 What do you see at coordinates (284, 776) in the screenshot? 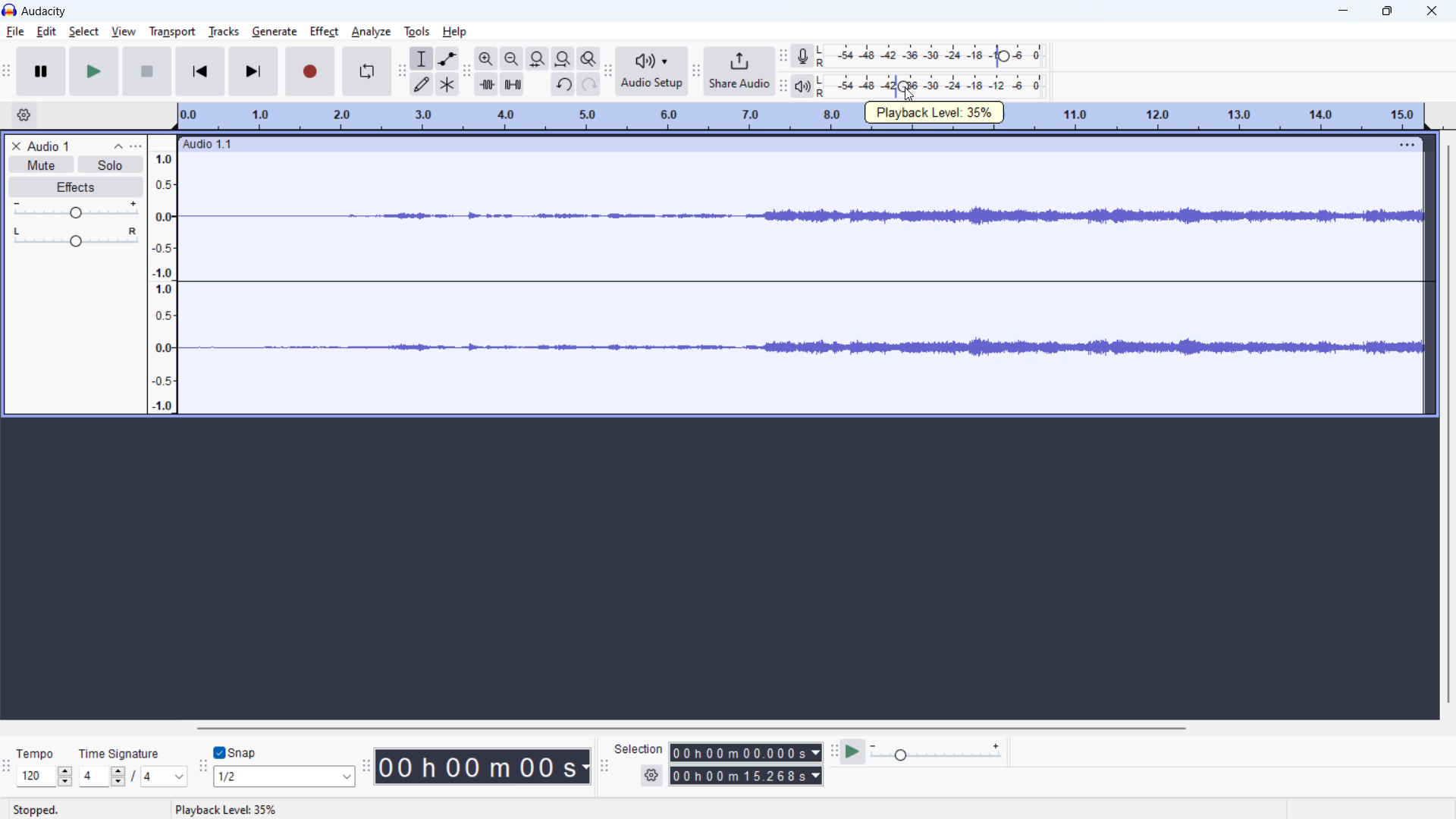
I see `select snap` at bounding box center [284, 776].